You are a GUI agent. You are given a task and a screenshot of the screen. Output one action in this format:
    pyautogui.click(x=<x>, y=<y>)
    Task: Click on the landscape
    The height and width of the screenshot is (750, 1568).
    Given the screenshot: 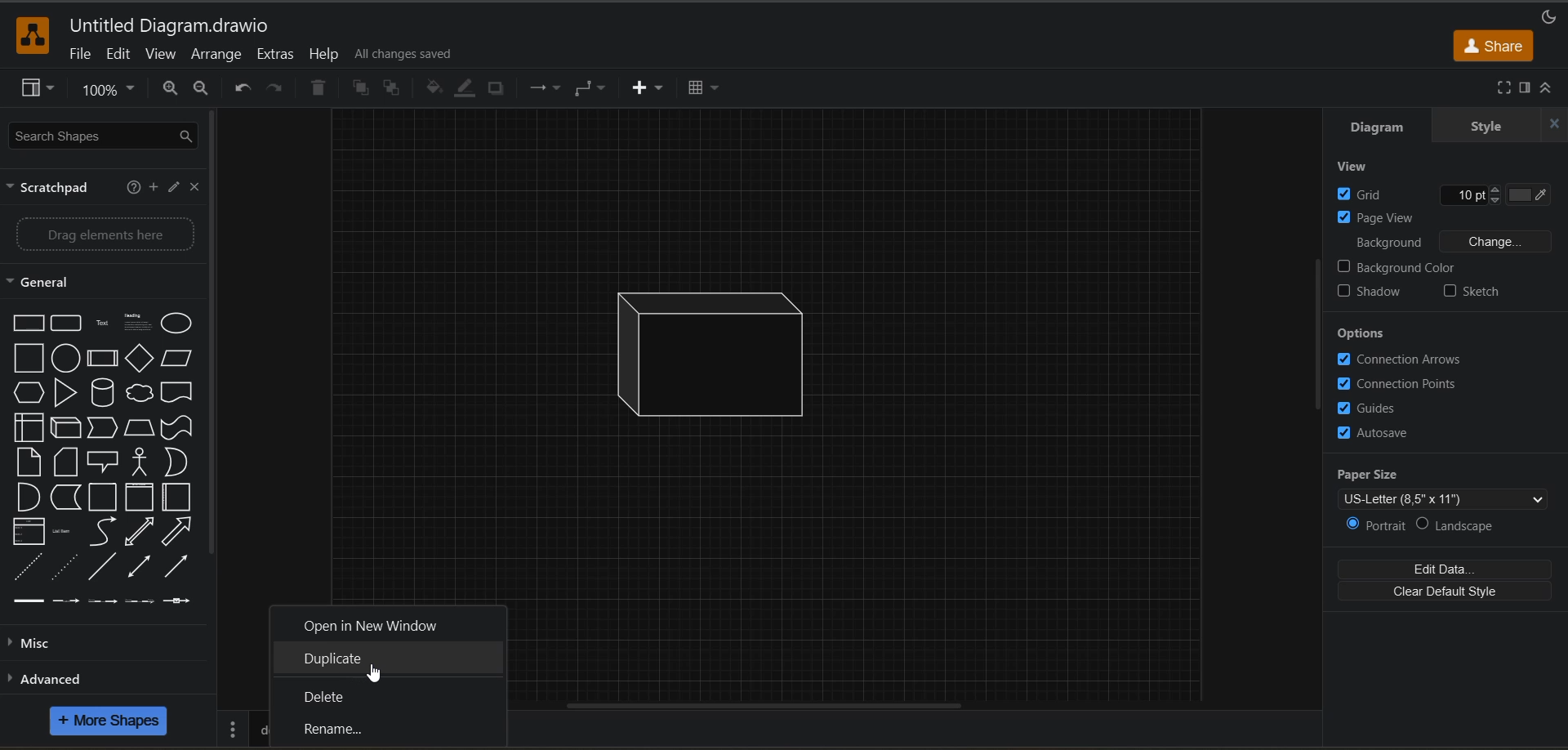 What is the action you would take?
    pyautogui.click(x=1468, y=527)
    